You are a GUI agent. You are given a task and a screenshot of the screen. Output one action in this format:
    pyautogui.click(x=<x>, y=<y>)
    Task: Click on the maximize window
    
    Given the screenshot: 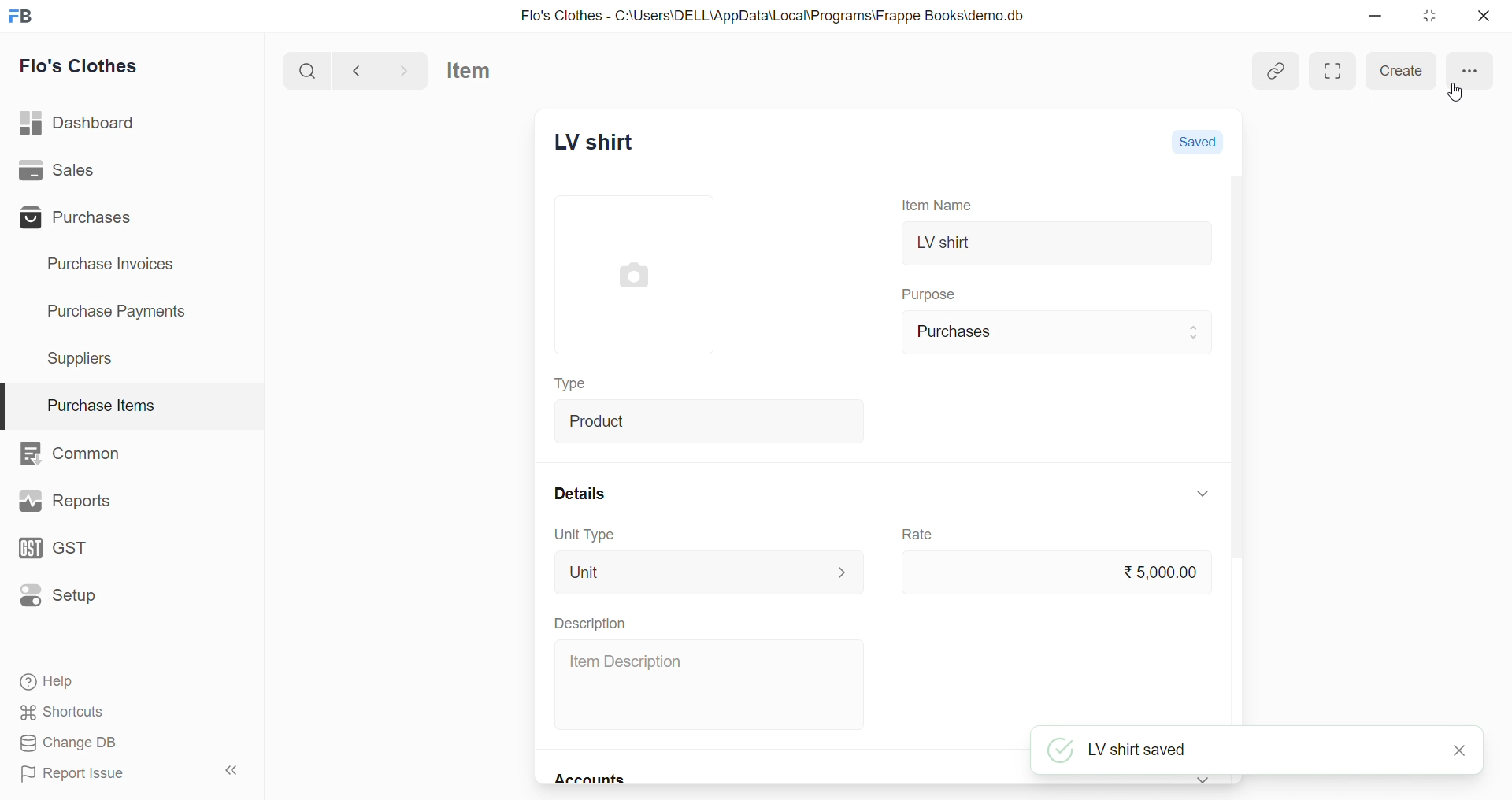 What is the action you would take?
    pyautogui.click(x=1333, y=71)
    